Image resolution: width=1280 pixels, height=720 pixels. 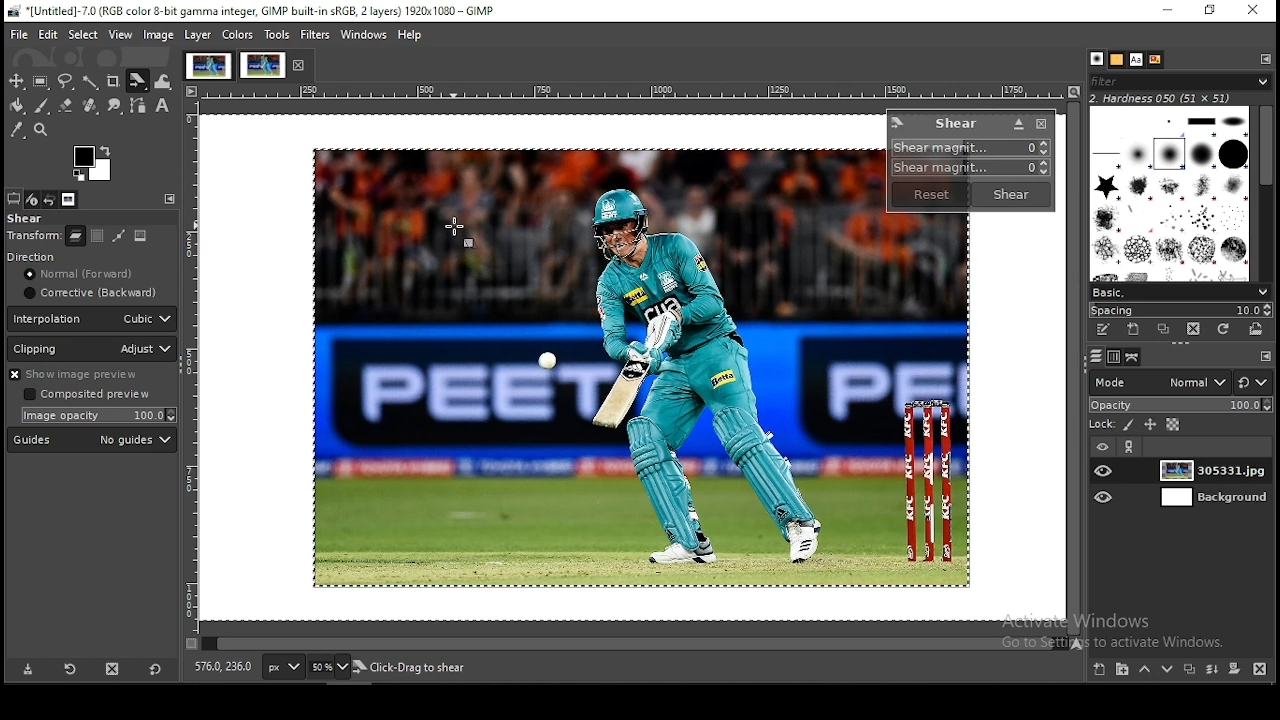 What do you see at coordinates (32, 200) in the screenshot?
I see `device status` at bounding box center [32, 200].